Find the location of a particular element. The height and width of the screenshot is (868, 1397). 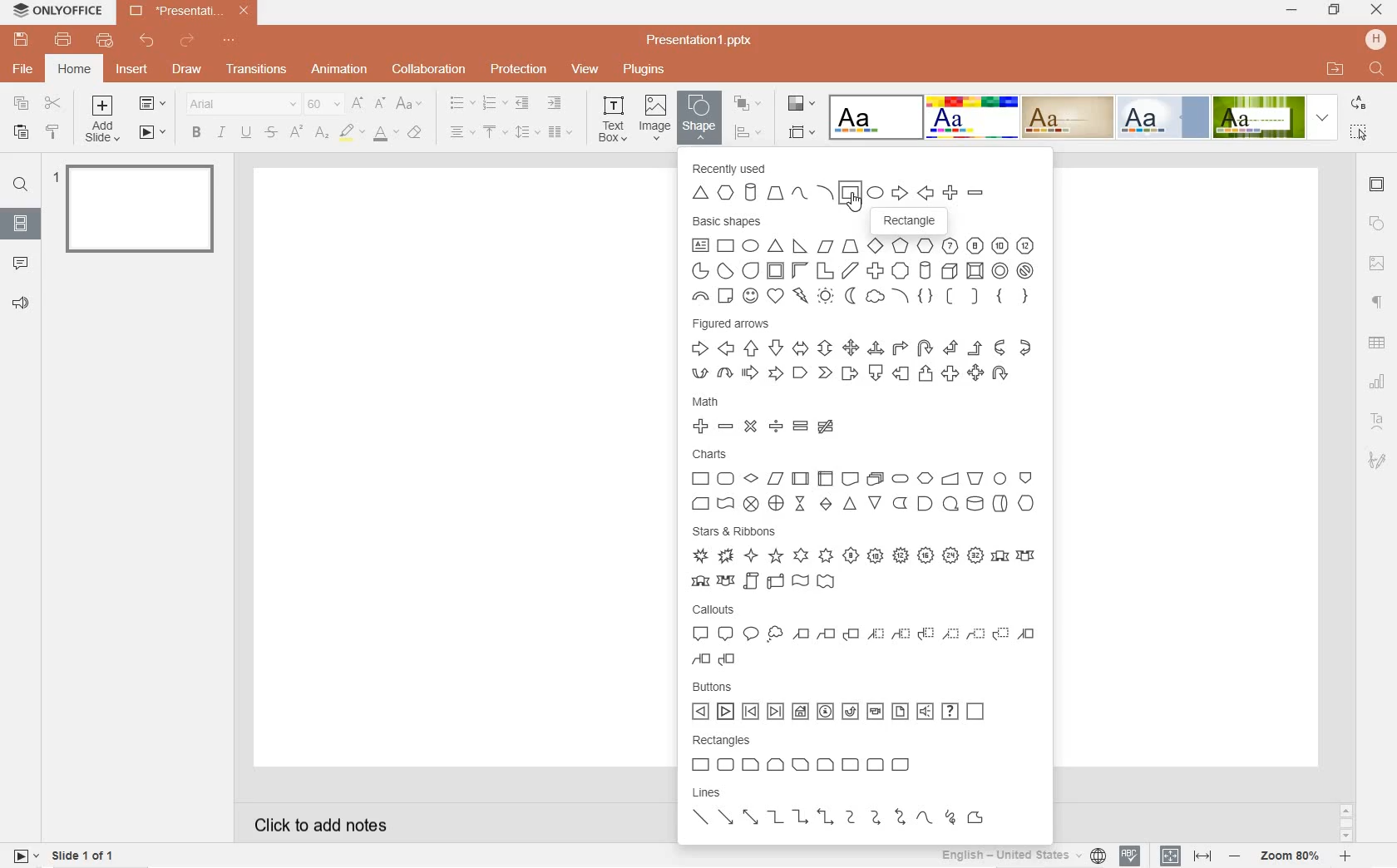

Diamond is located at coordinates (876, 247).